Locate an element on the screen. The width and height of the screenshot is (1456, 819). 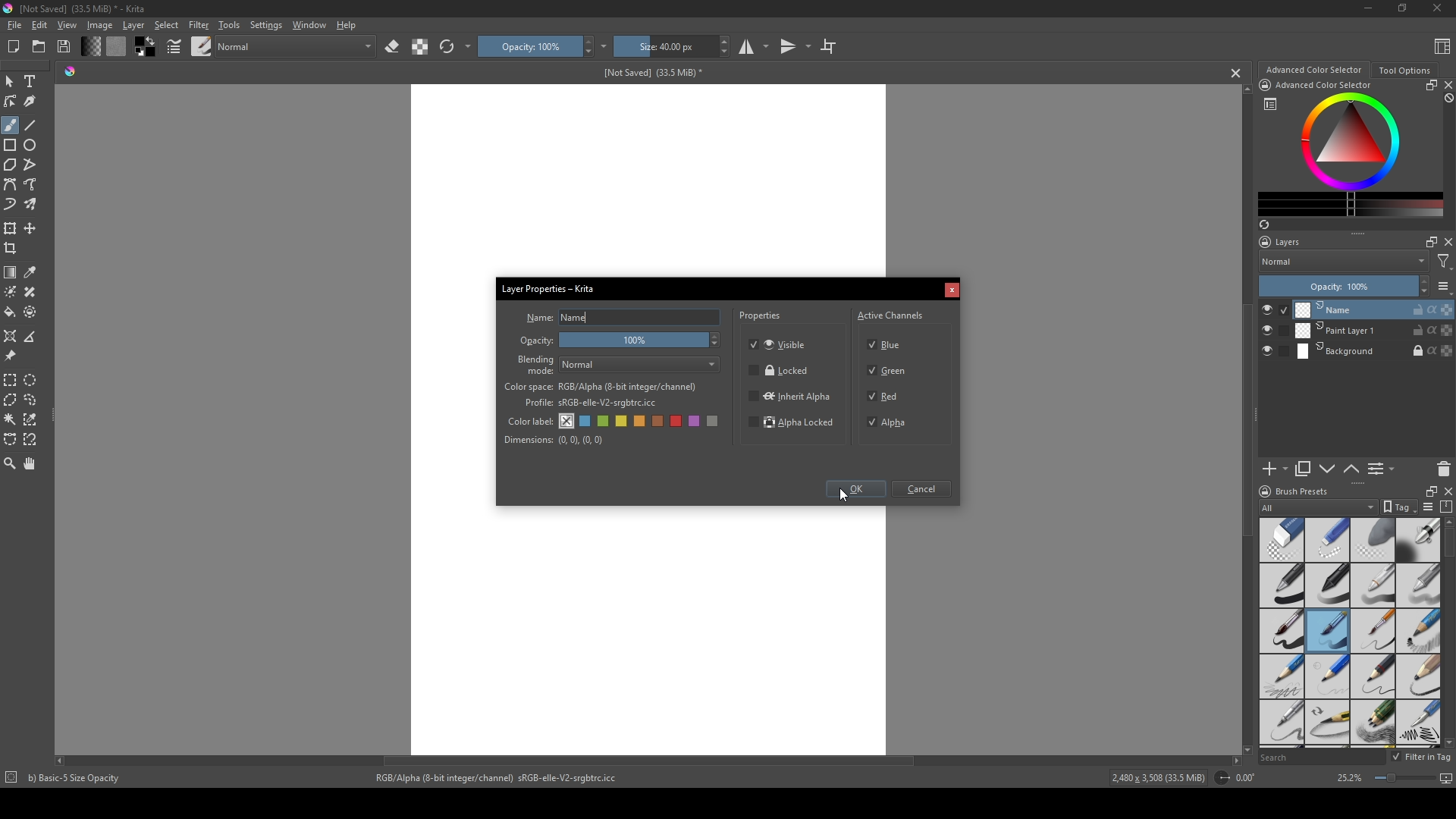
Window is located at coordinates (307, 24).